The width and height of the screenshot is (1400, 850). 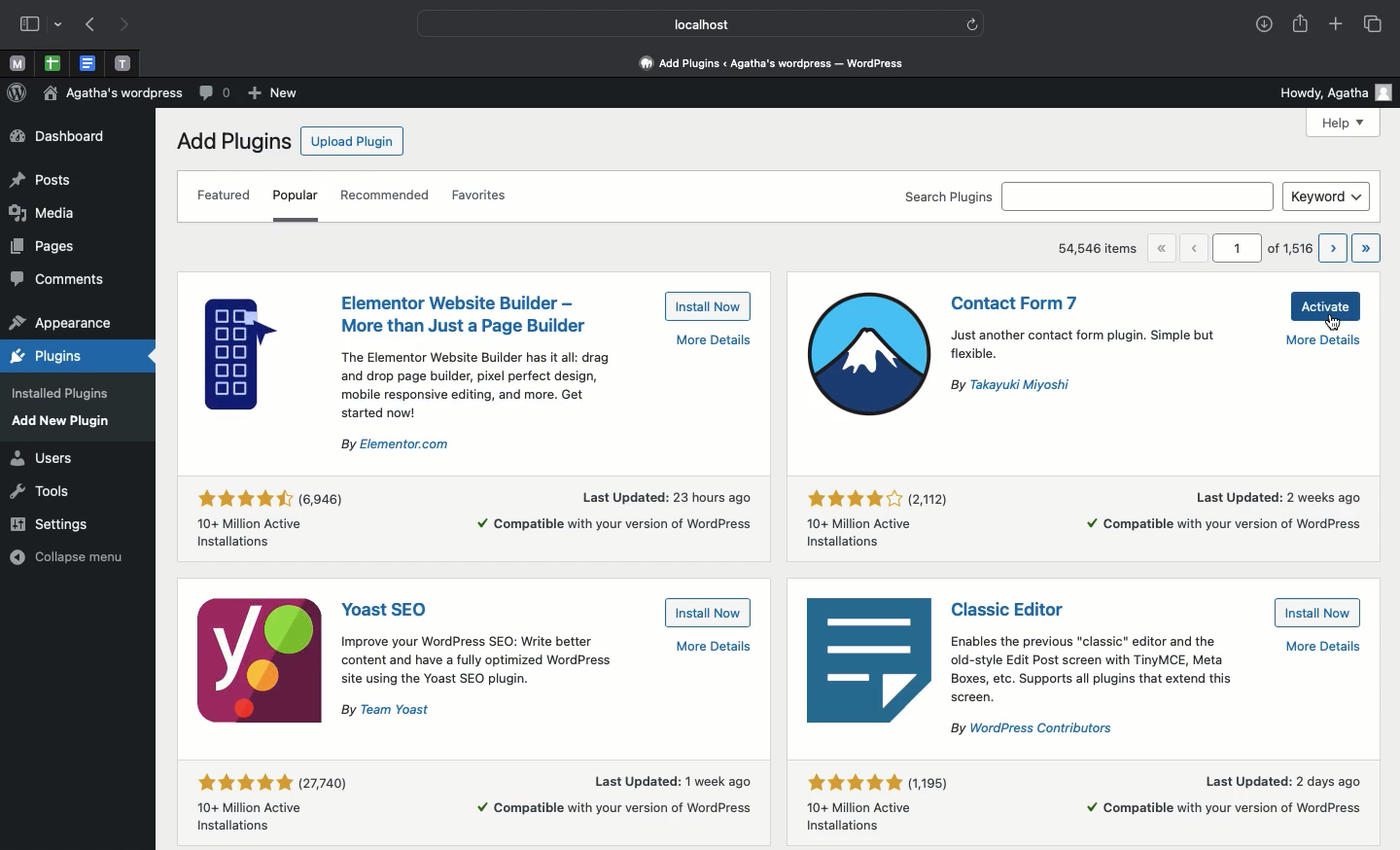 I want to click on 1, so click(x=1236, y=249).